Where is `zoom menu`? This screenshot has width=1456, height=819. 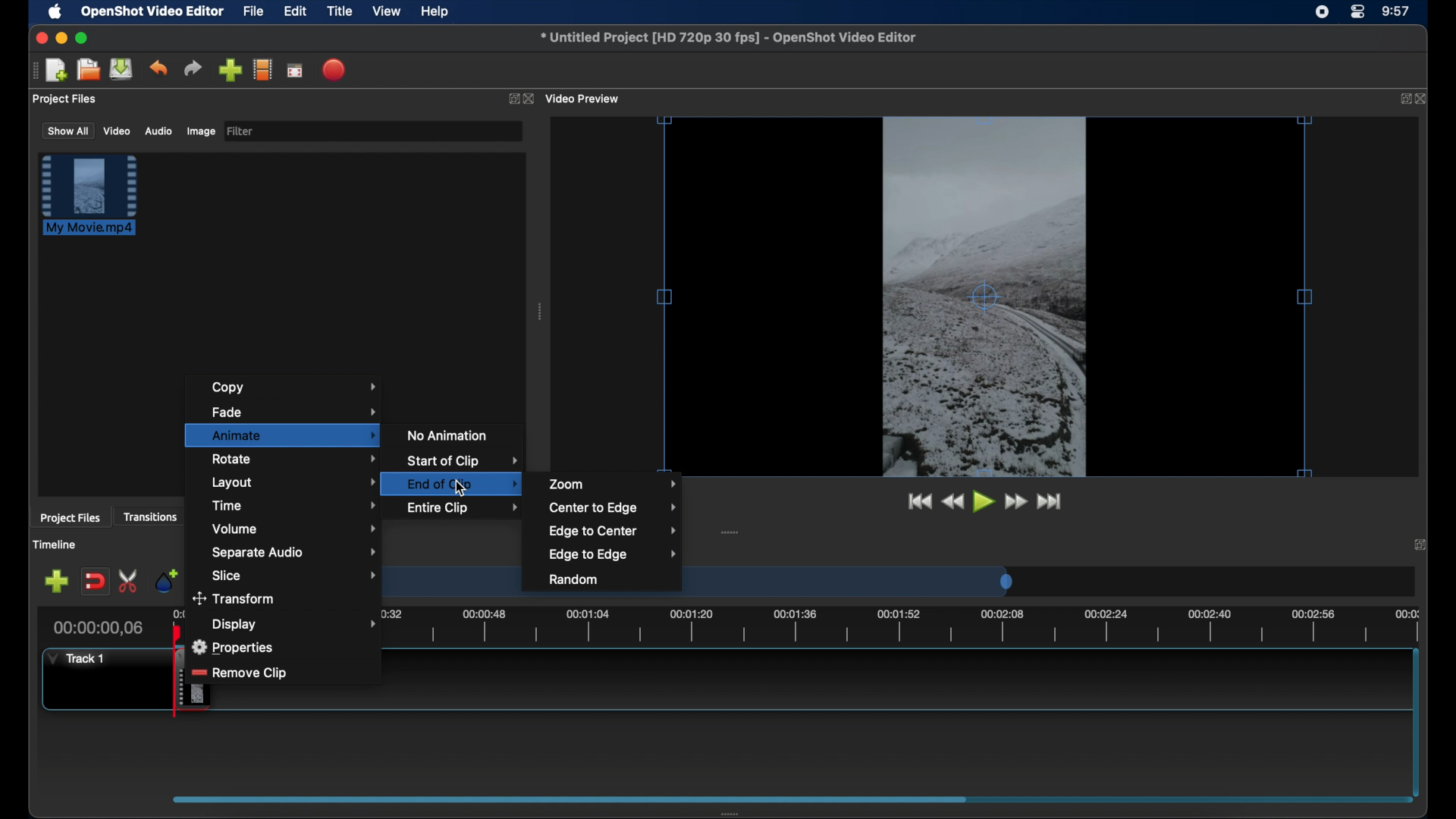
zoom menu is located at coordinates (613, 483).